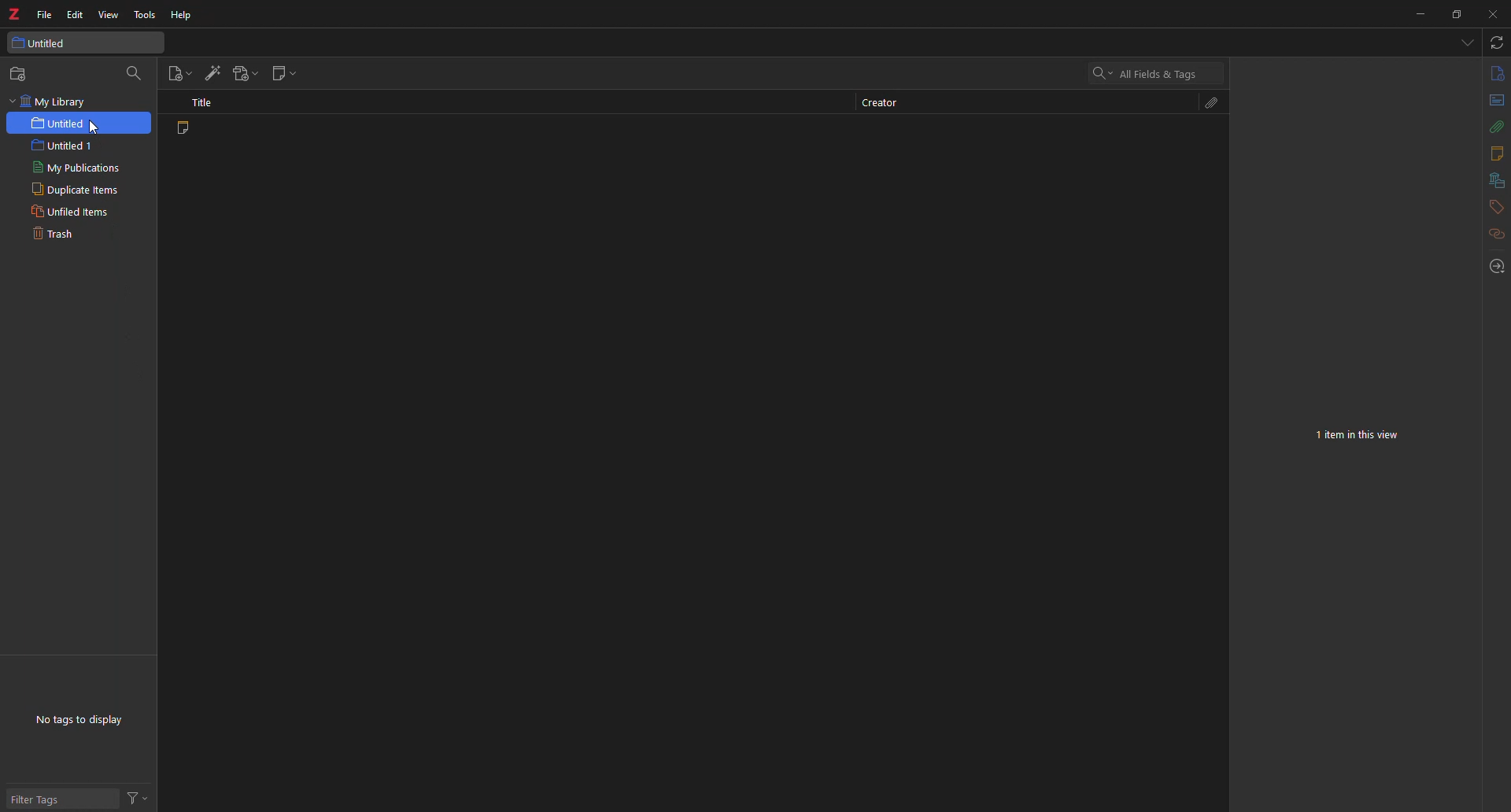 The width and height of the screenshot is (1511, 812). I want to click on search, so click(139, 73).